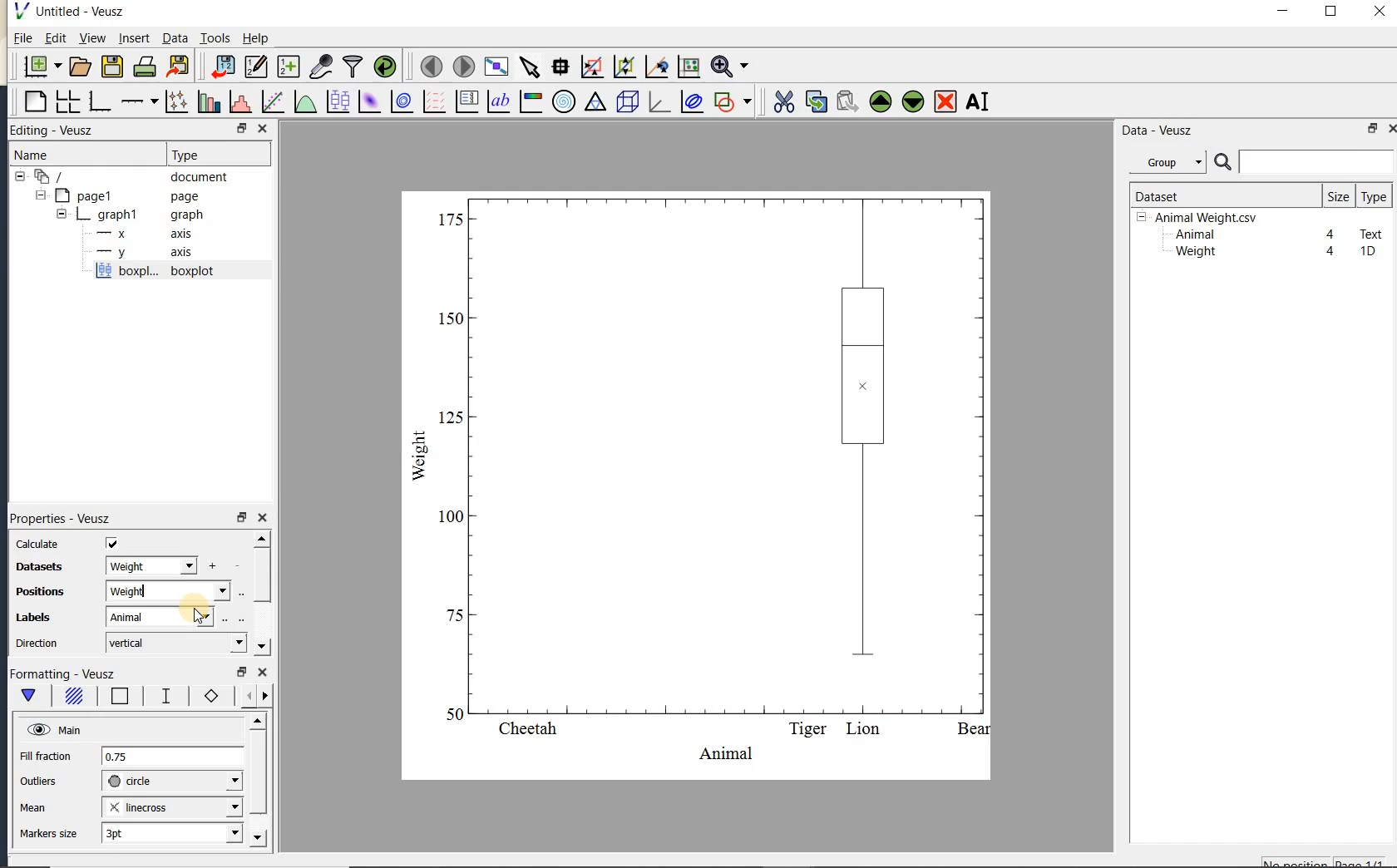 Image resolution: width=1397 pixels, height=868 pixels. Describe the element at coordinates (595, 104) in the screenshot. I see `ternary graph` at that location.